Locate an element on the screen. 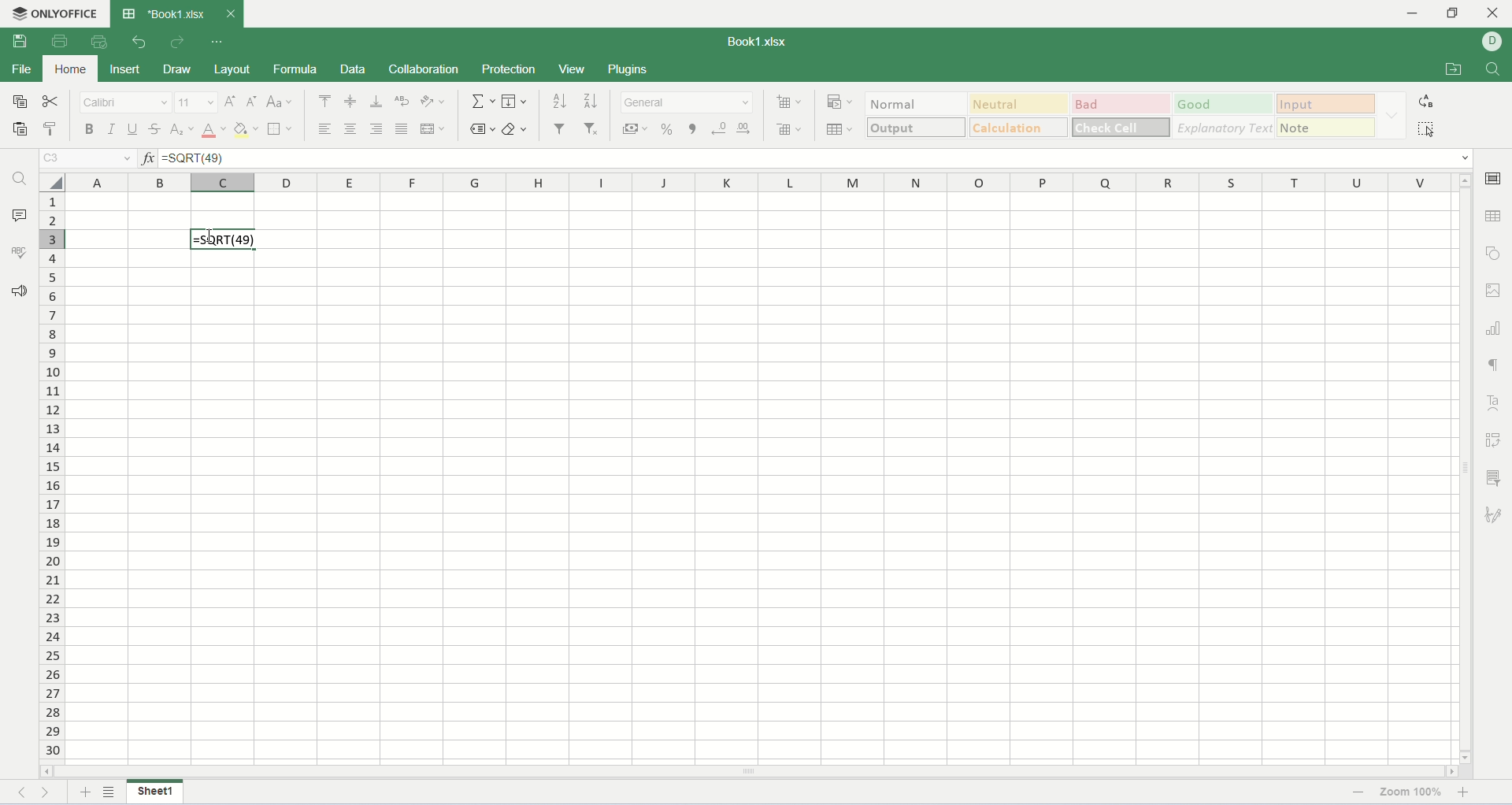  open file is located at coordinates (1451, 69).